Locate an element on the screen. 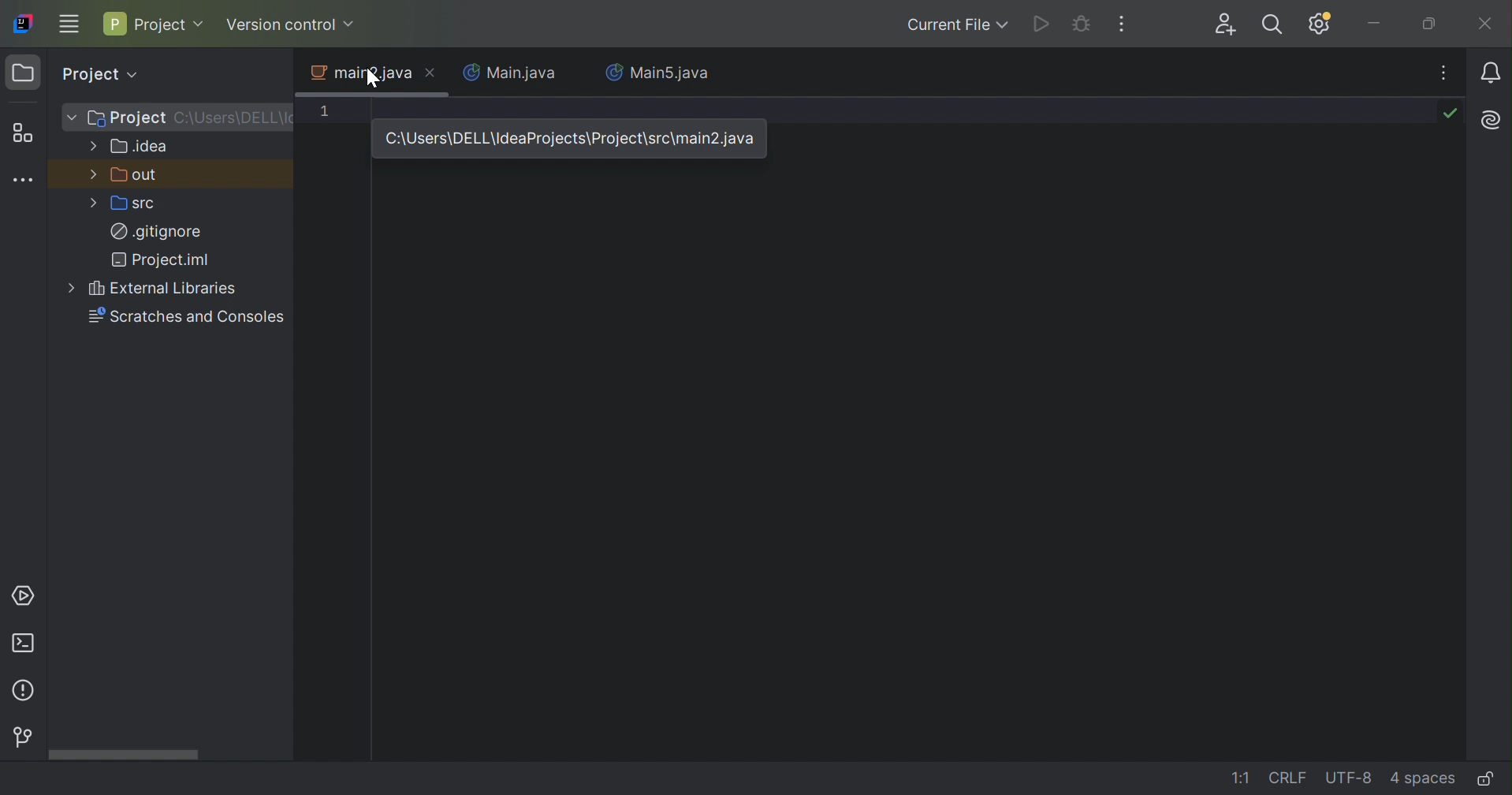 The height and width of the screenshot is (795, 1512). Services is located at coordinates (20, 598).